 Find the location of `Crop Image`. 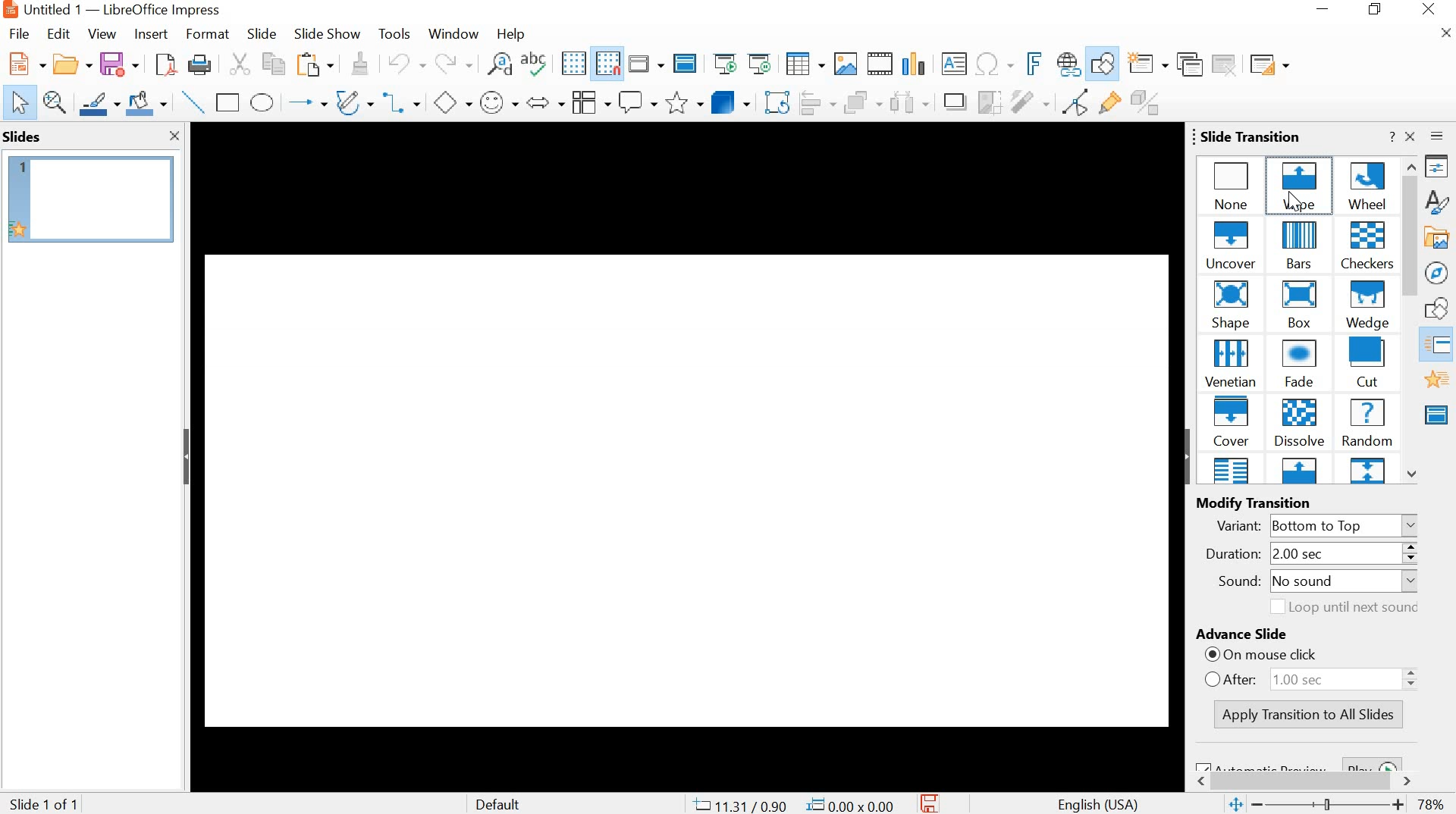

Crop Image is located at coordinates (988, 101).